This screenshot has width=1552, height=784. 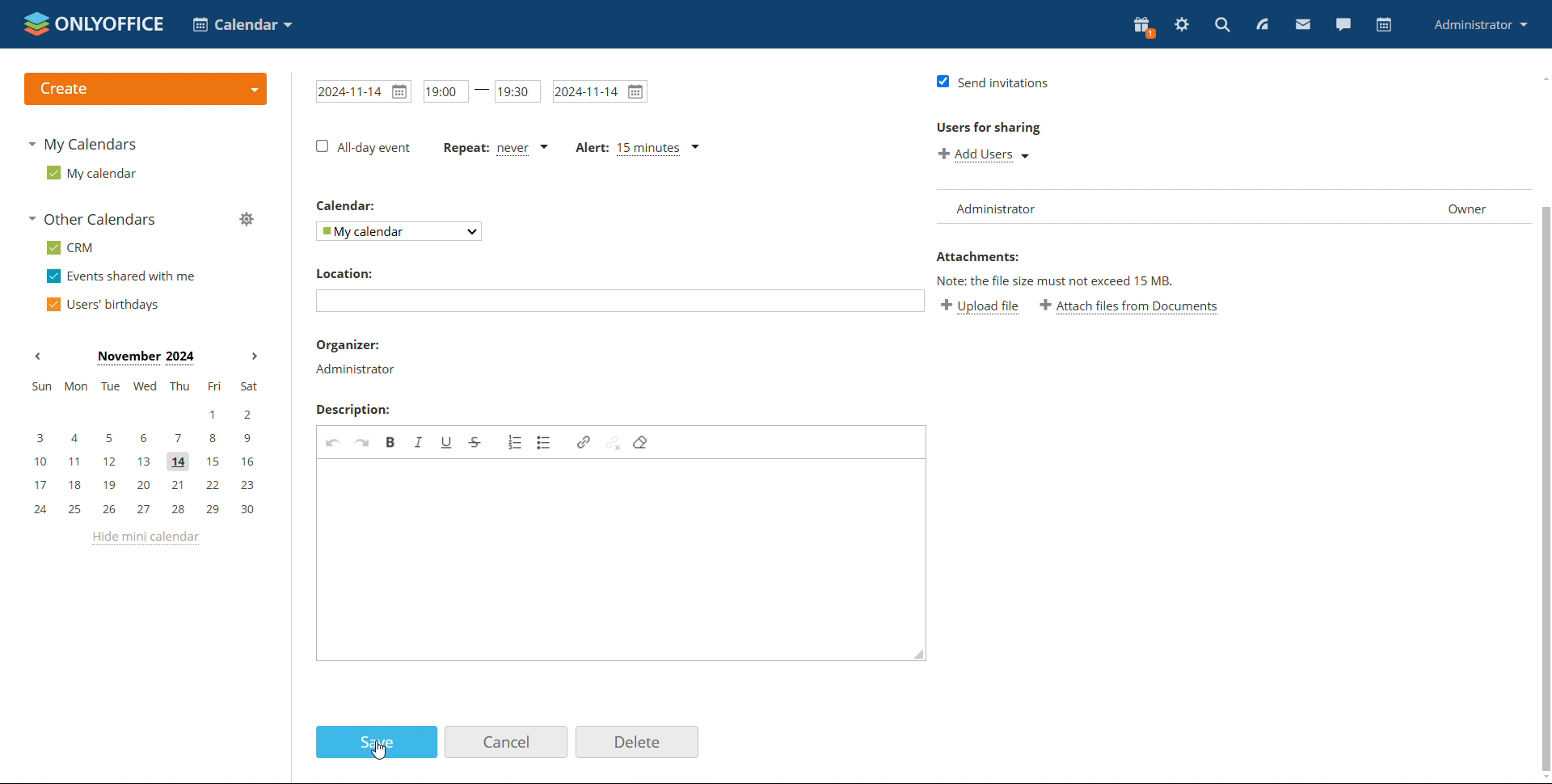 I want to click on hide mini calendar, so click(x=143, y=537).